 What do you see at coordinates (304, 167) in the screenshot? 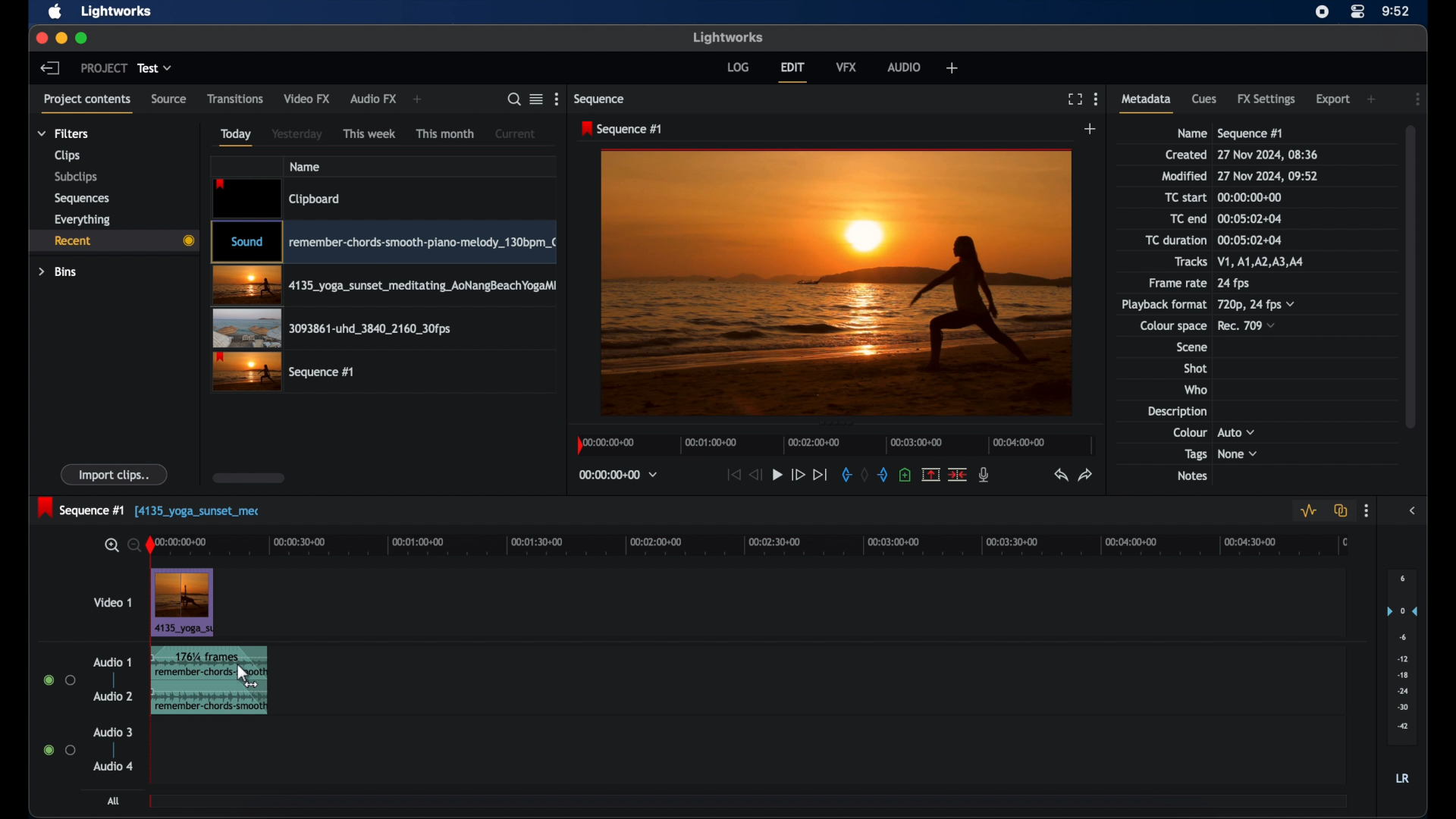
I see `name` at bounding box center [304, 167].